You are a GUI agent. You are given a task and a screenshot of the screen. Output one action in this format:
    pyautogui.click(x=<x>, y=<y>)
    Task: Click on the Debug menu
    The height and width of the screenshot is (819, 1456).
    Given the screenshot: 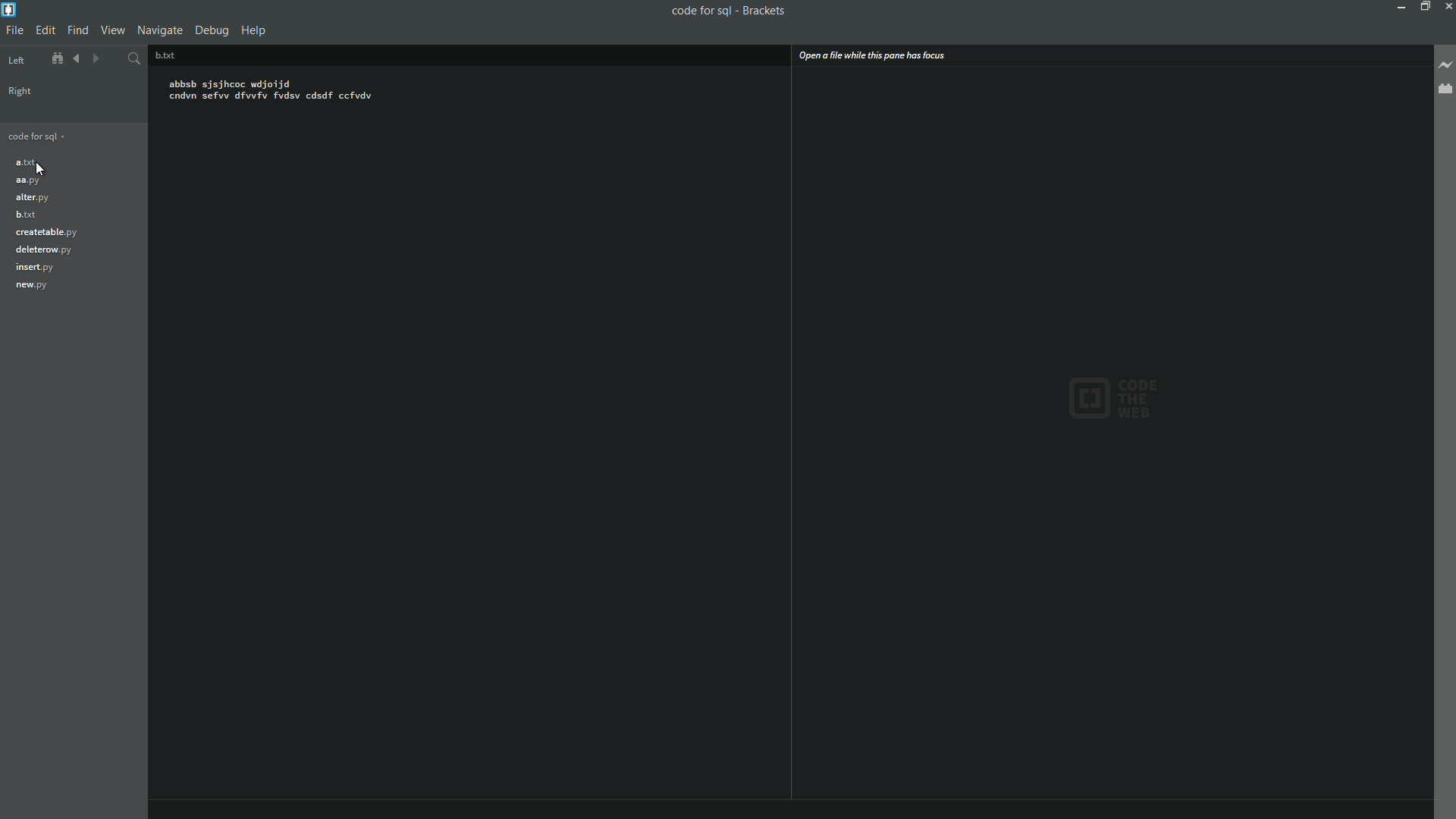 What is the action you would take?
    pyautogui.click(x=215, y=30)
    